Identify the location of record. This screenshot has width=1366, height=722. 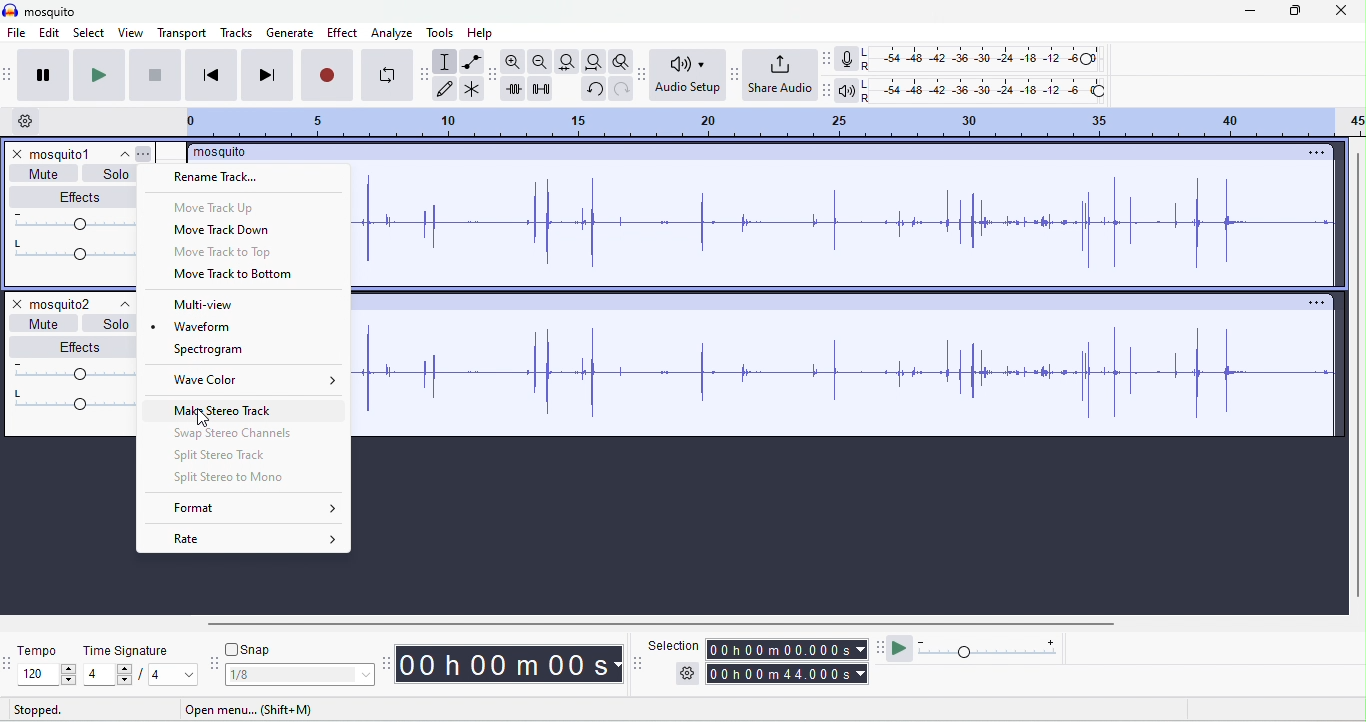
(328, 74).